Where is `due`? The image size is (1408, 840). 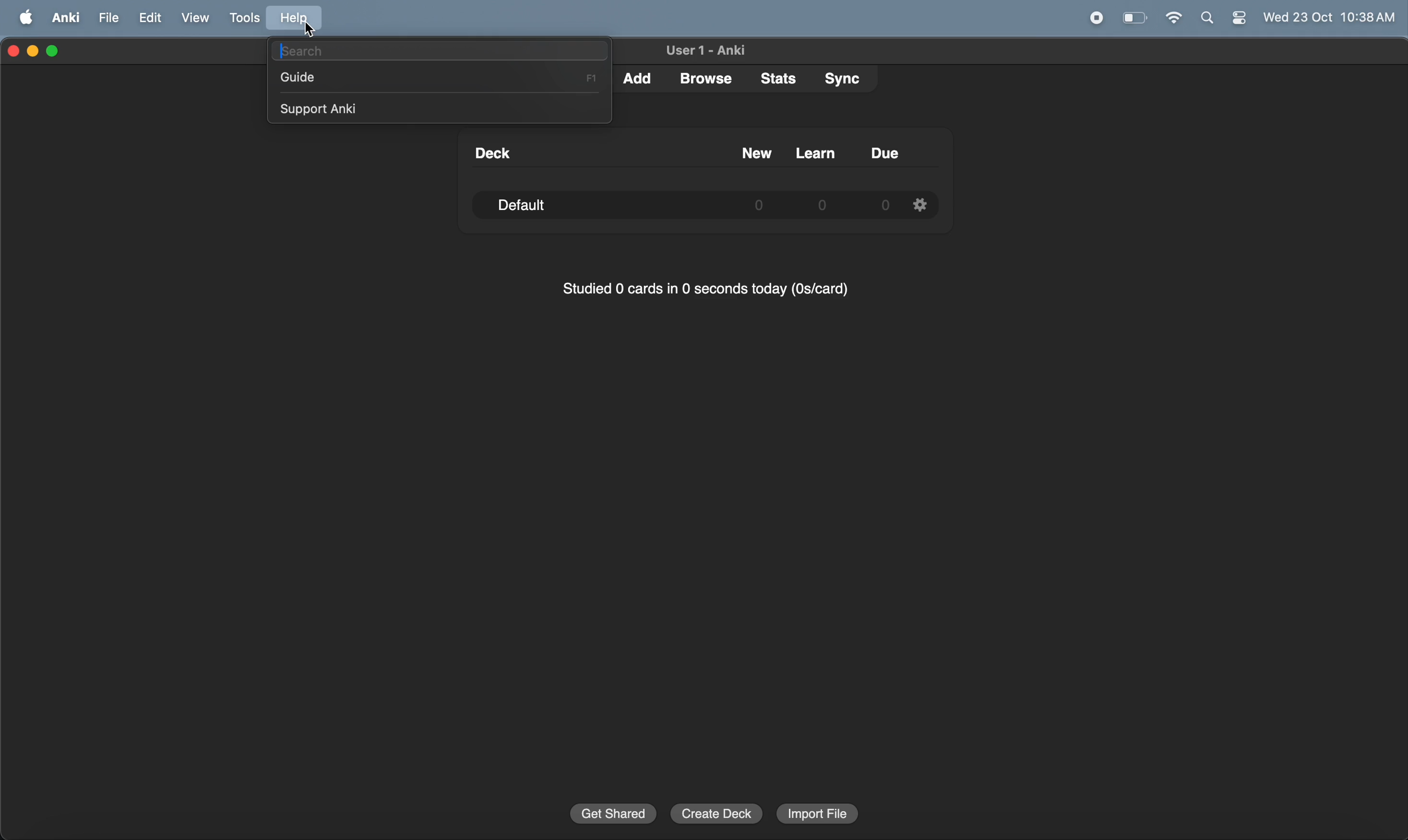 due is located at coordinates (886, 153).